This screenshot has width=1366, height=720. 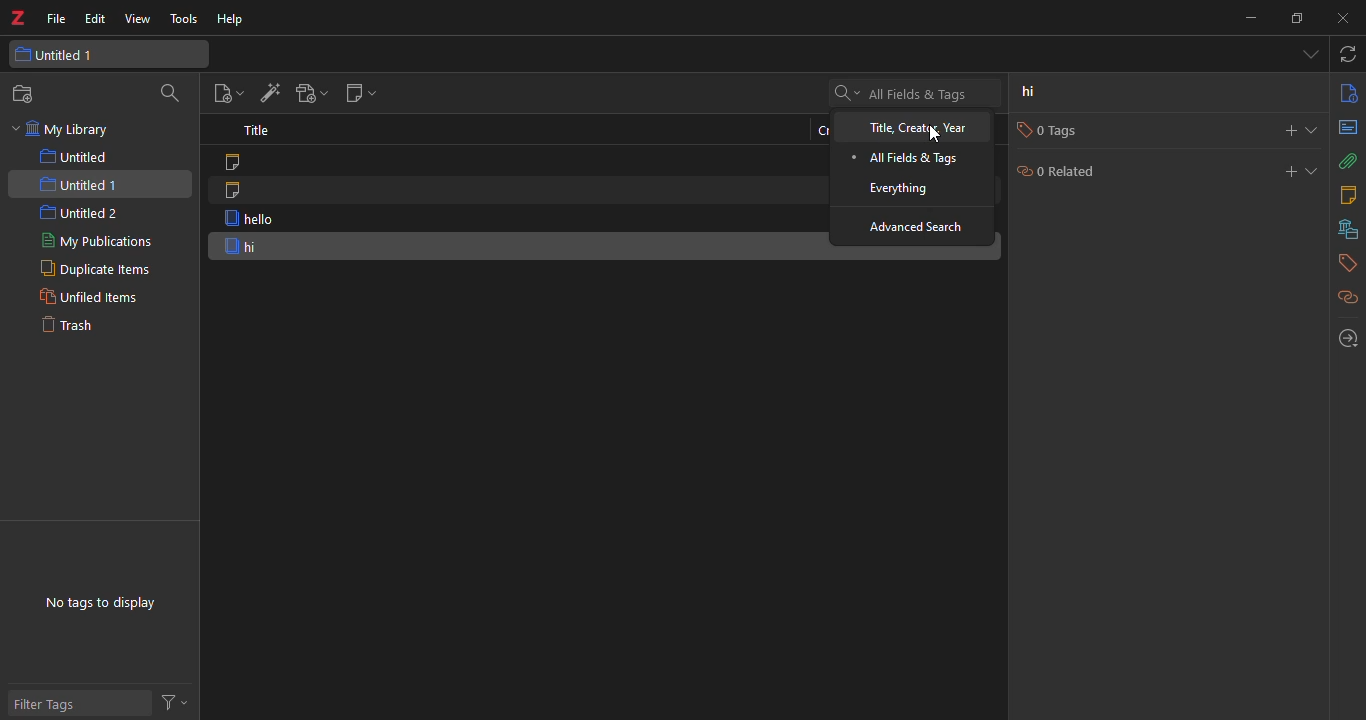 I want to click on expand, so click(x=1313, y=130).